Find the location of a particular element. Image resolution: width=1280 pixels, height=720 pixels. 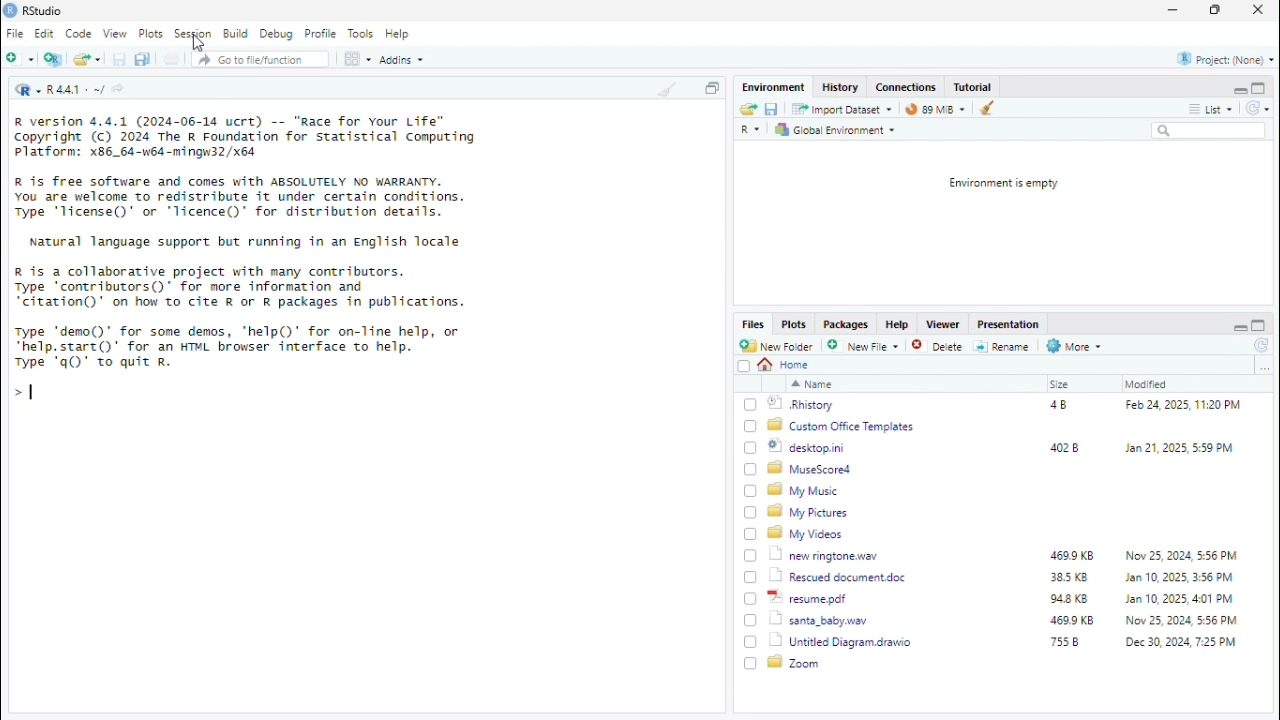

Custom Office Templates is located at coordinates (843, 426).